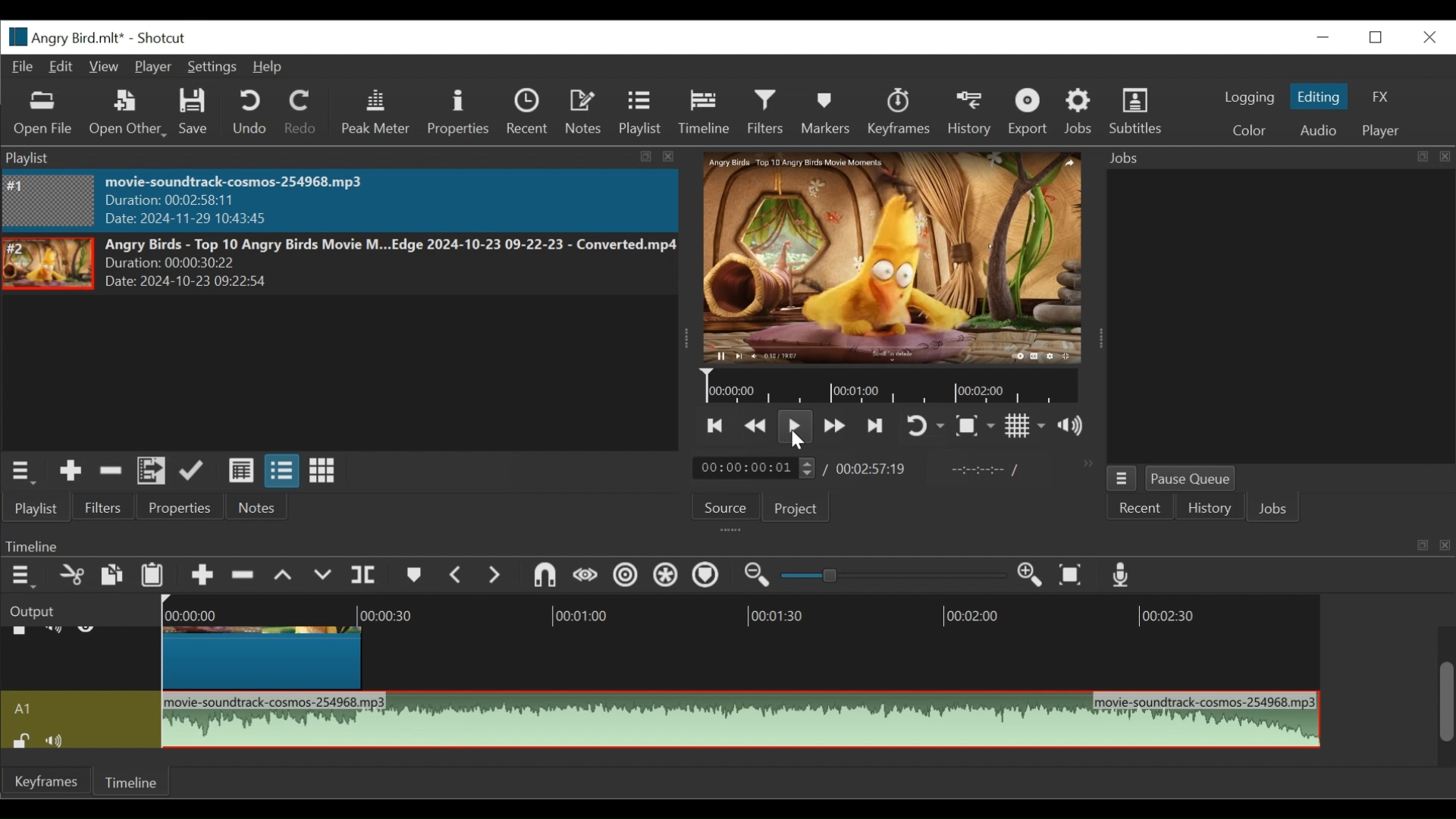 This screenshot has width=1456, height=819. I want to click on Angry Birds - Top 10 Angry Birds Movie M...Edge 2024-10-23 09-22-23 - Converted.mp4Duration: 00:00:30:22 Date: 2024-10-23 09:22>5, so click(390, 264).